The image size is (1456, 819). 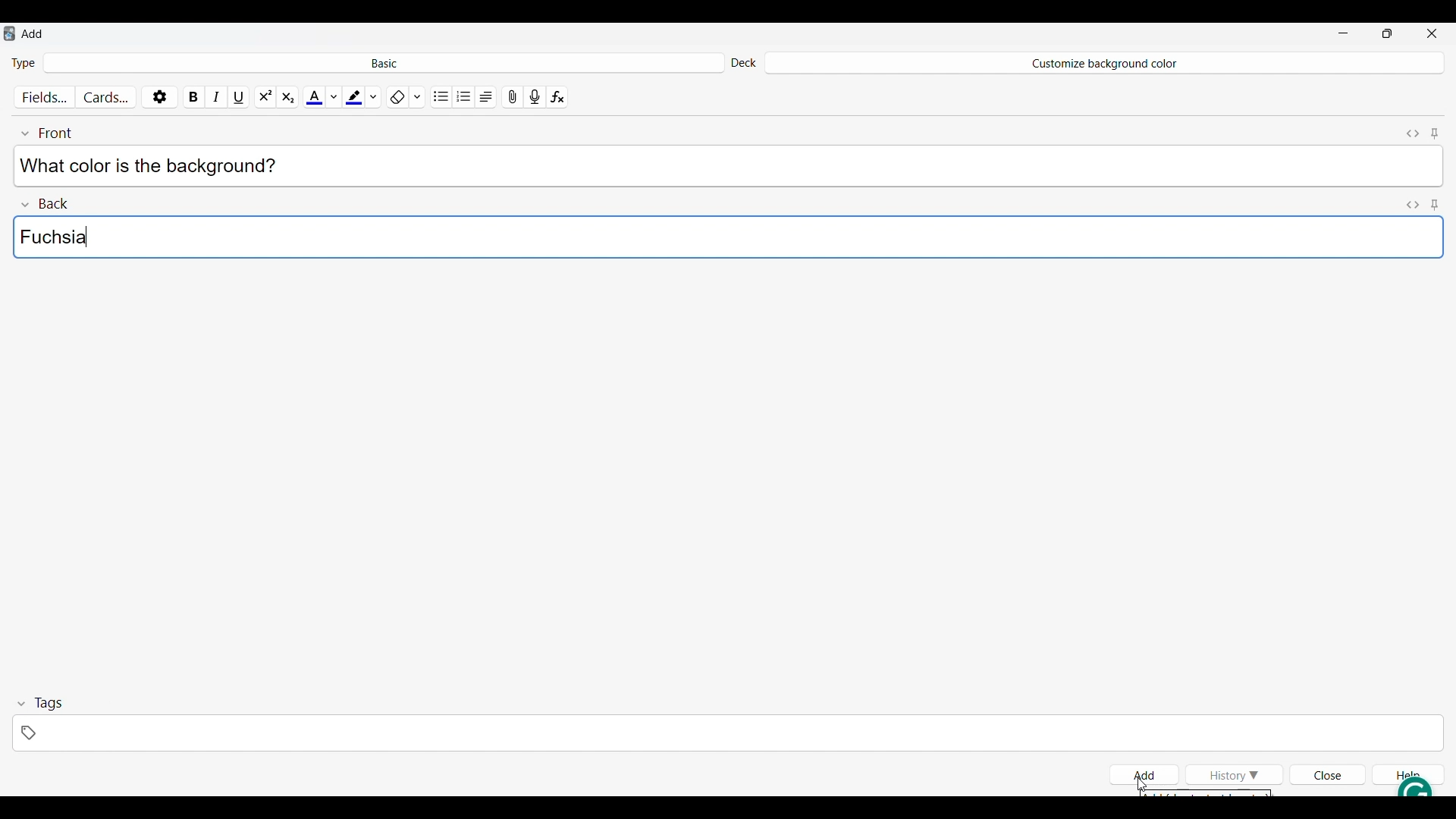 I want to click on Indicates Deck settings, so click(x=743, y=63).